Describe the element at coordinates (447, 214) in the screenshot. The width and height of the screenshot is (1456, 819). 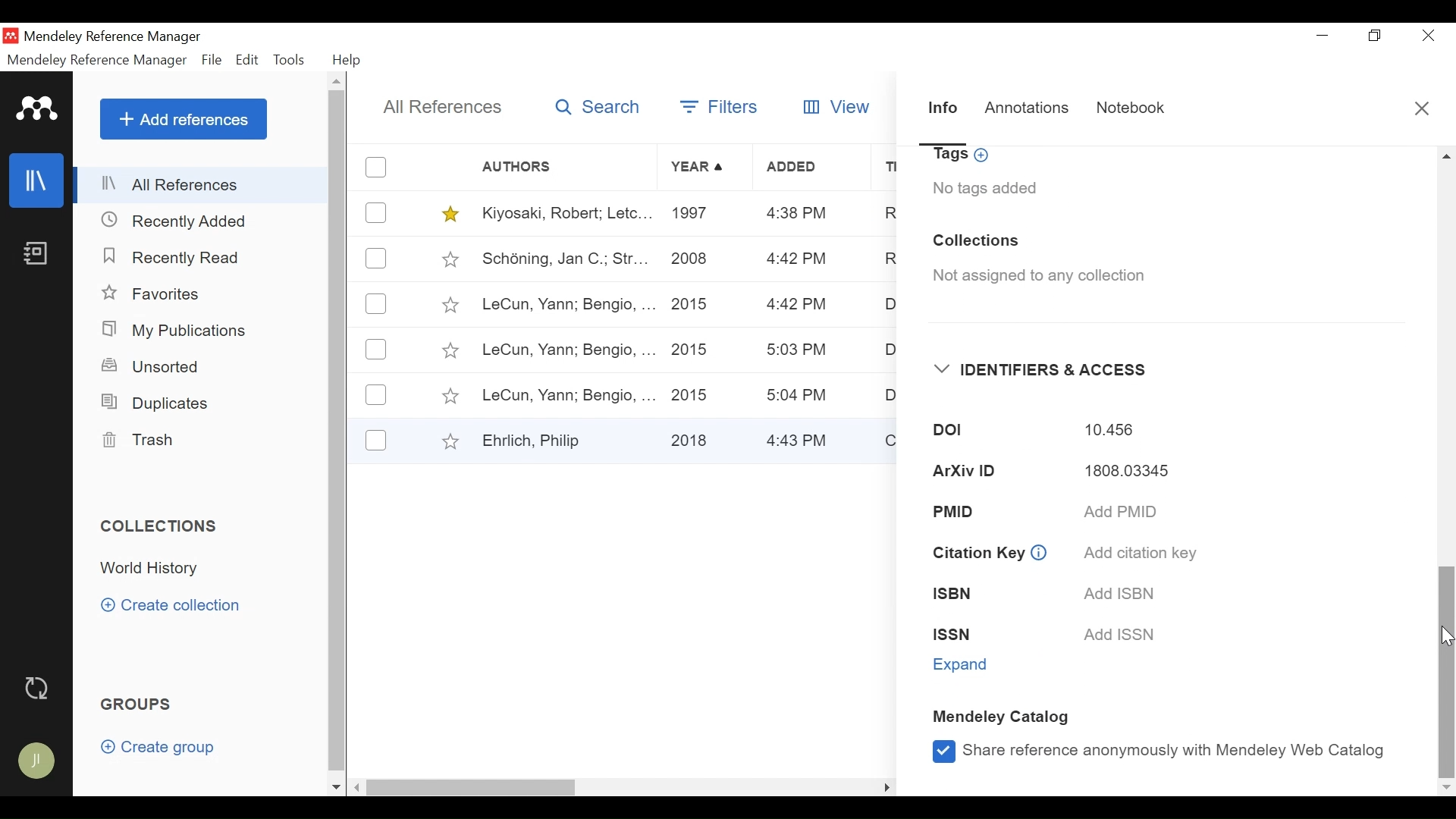
I see `(un)select favorite` at that location.